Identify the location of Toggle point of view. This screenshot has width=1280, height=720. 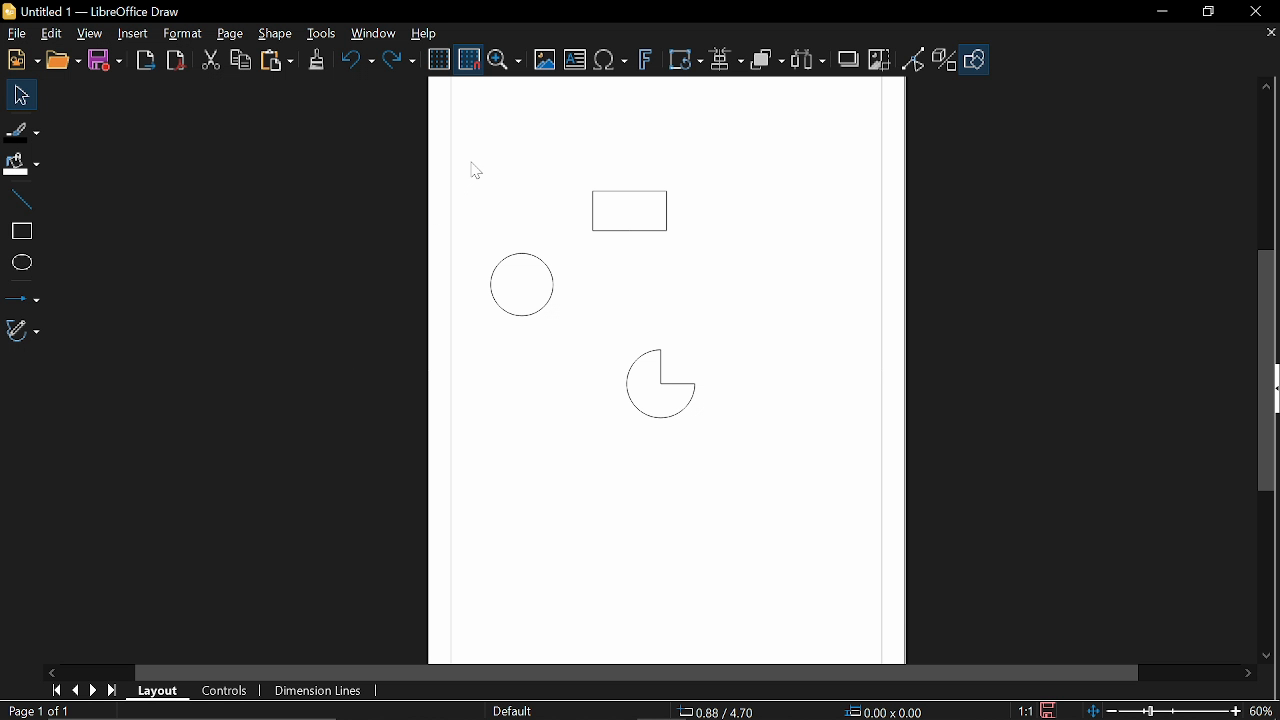
(913, 59).